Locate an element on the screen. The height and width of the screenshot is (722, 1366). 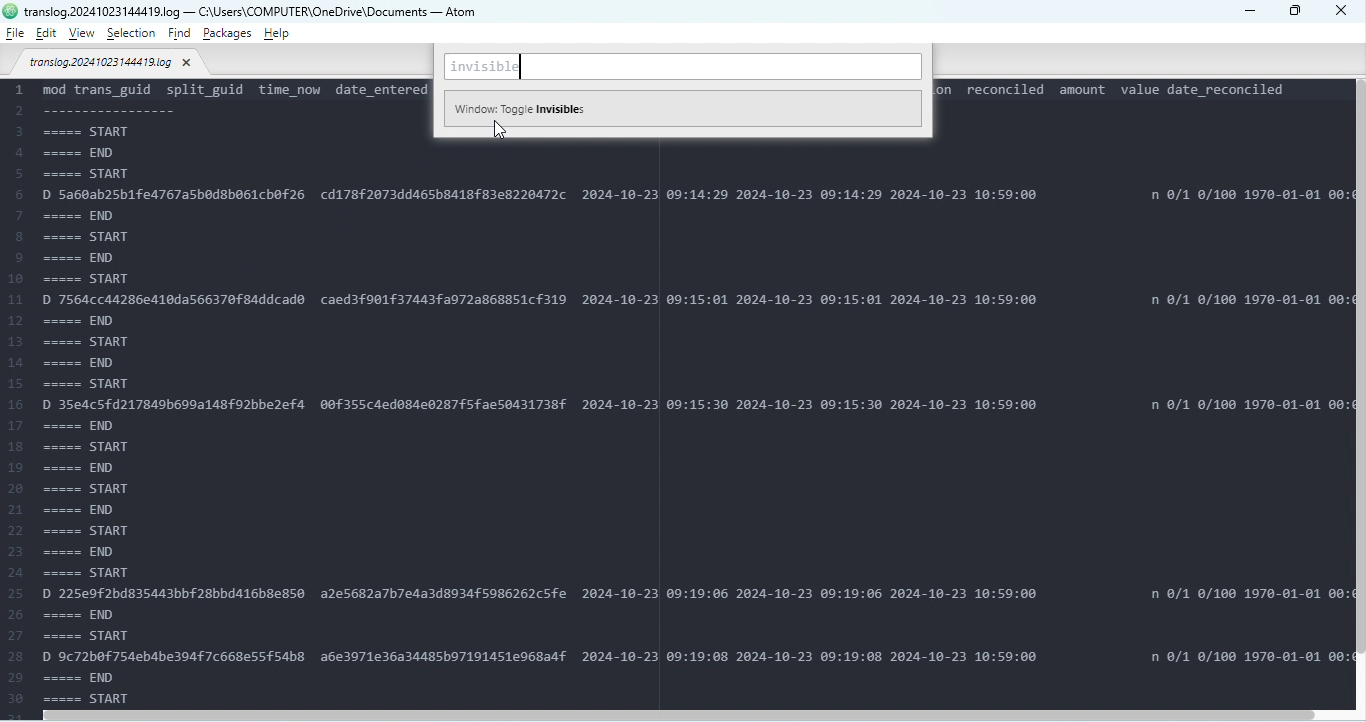
Window: Toggle invisibles is located at coordinates (681, 107).